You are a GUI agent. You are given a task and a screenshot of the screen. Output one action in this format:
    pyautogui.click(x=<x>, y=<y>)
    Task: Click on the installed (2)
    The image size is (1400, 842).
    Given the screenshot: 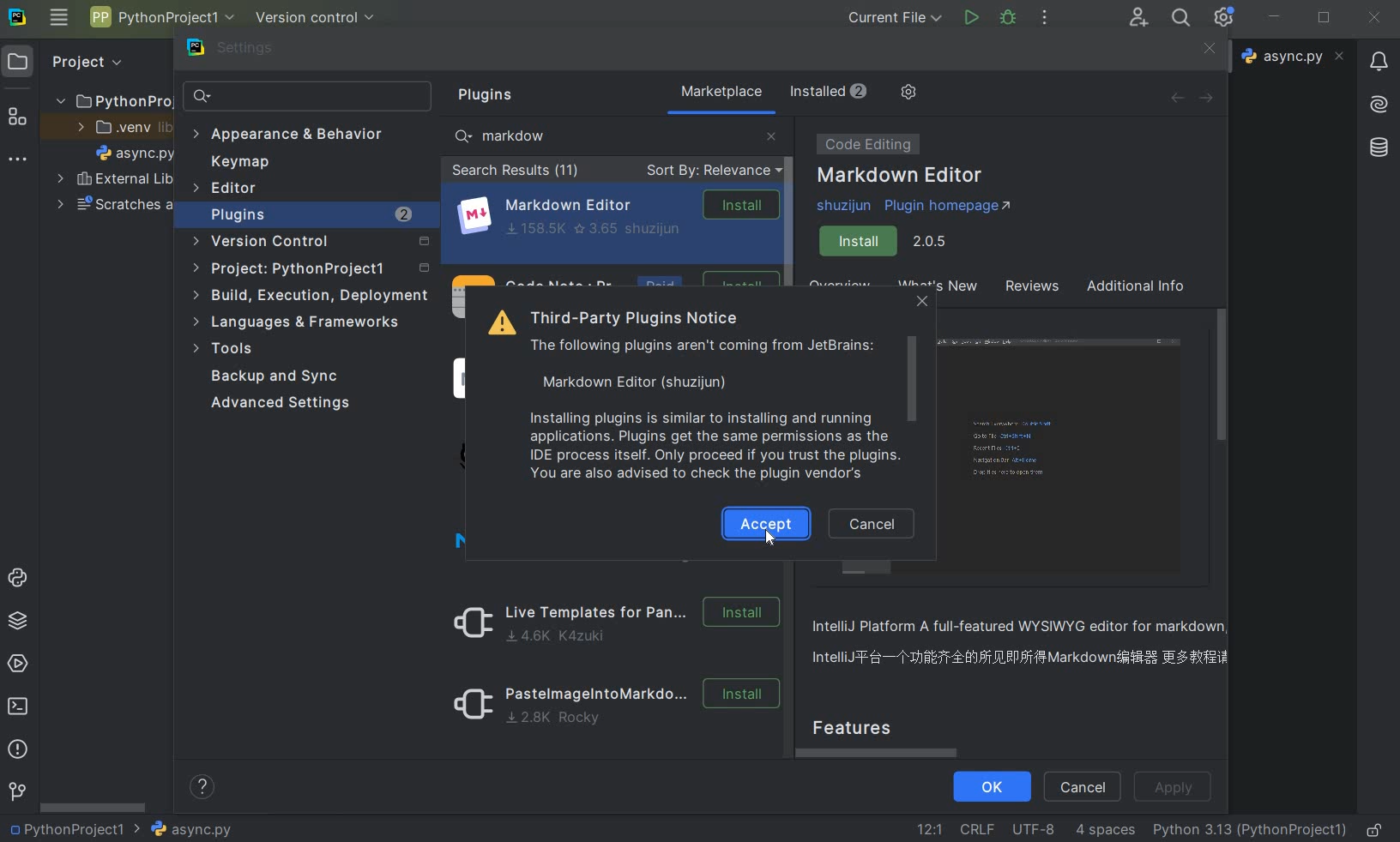 What is the action you would take?
    pyautogui.click(x=827, y=92)
    